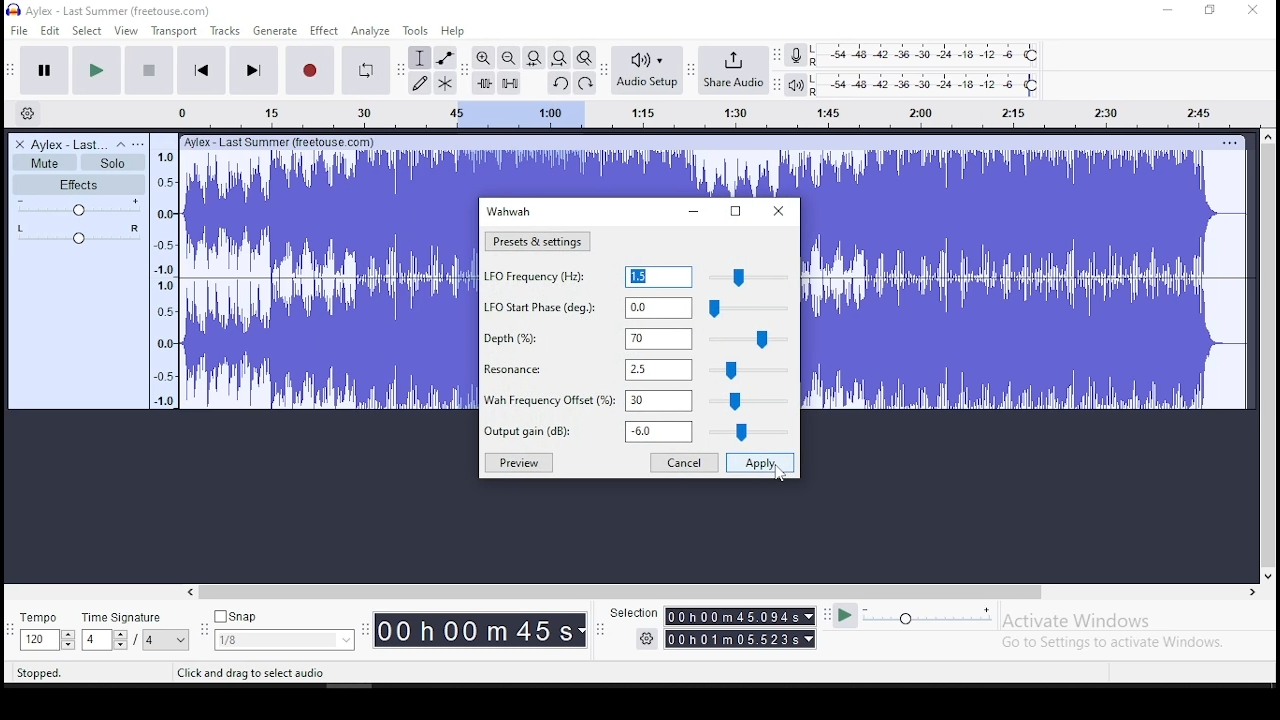 The height and width of the screenshot is (720, 1280). I want to click on help, so click(452, 31).